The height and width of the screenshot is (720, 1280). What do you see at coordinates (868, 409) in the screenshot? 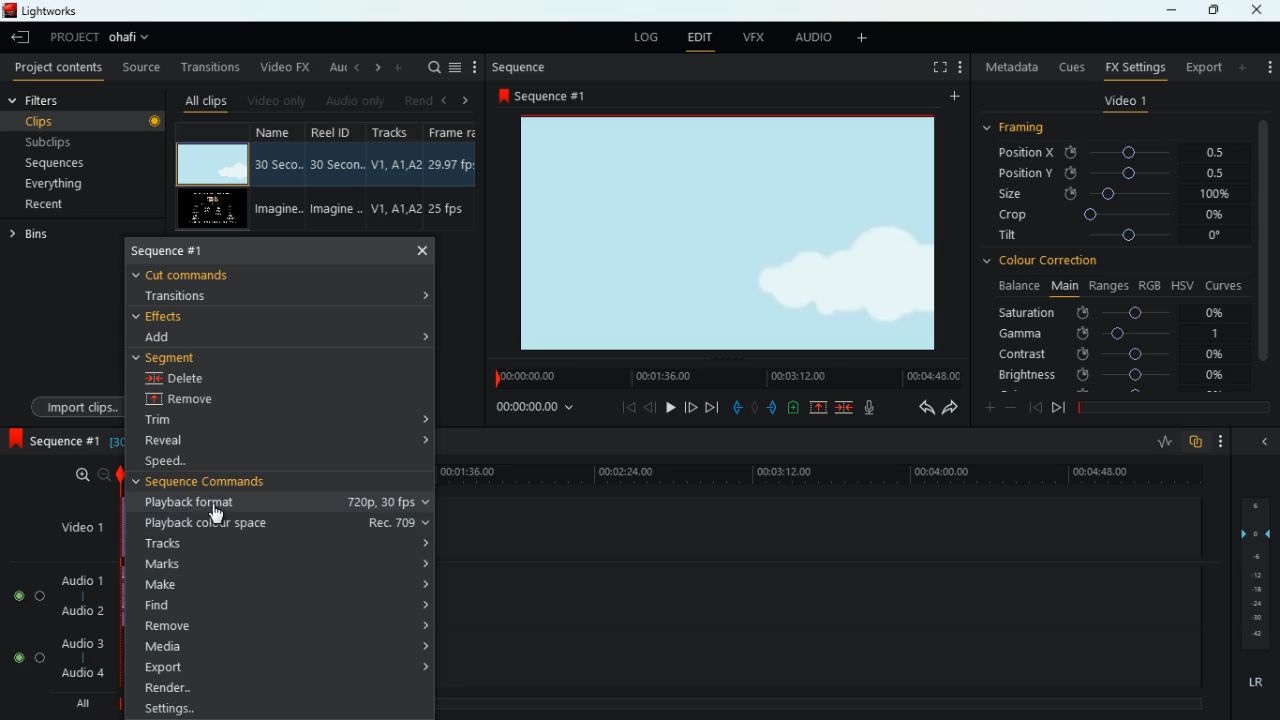
I see `mic` at bounding box center [868, 409].